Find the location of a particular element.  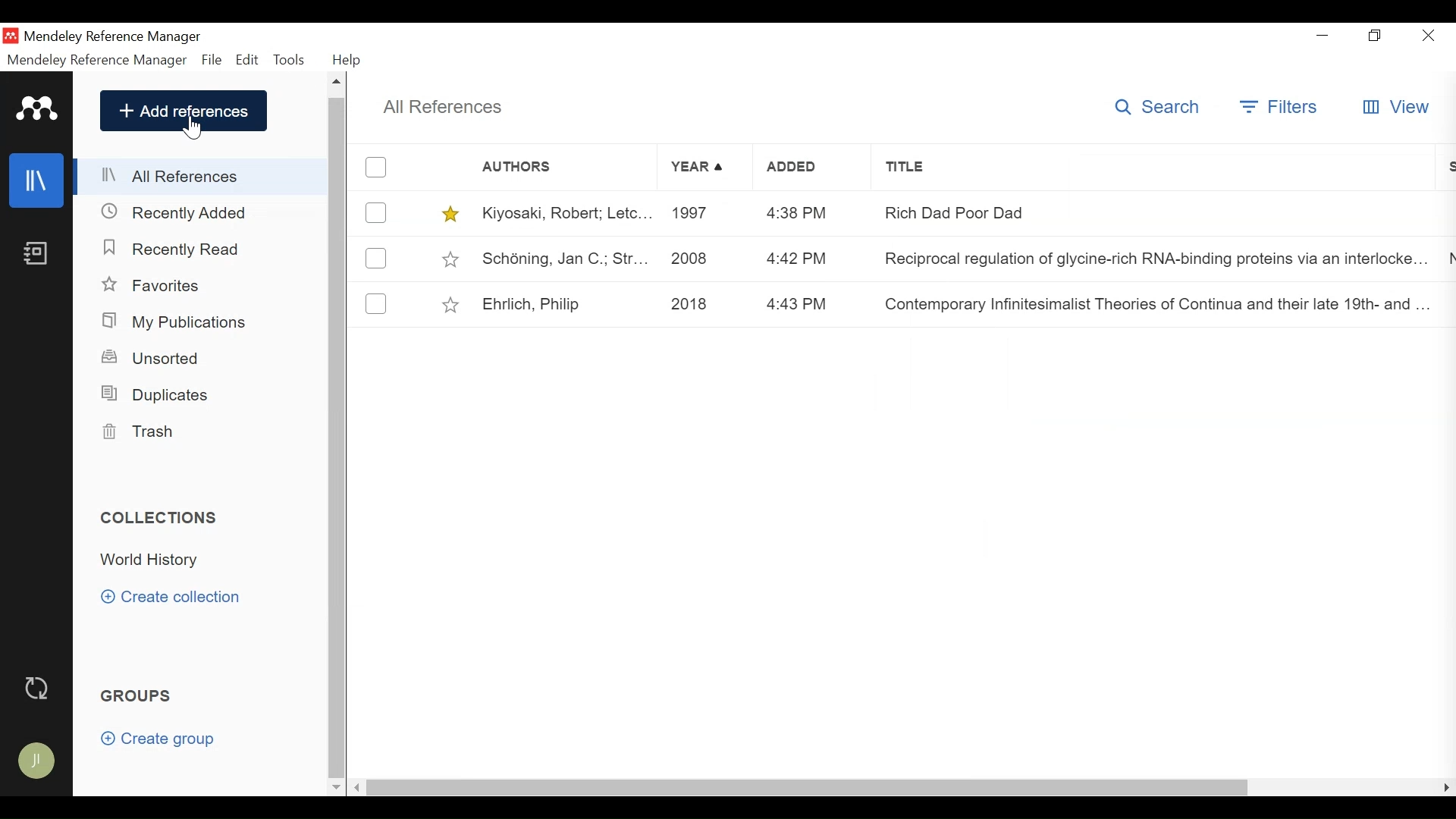

Toggle Favorites is located at coordinates (449, 213).